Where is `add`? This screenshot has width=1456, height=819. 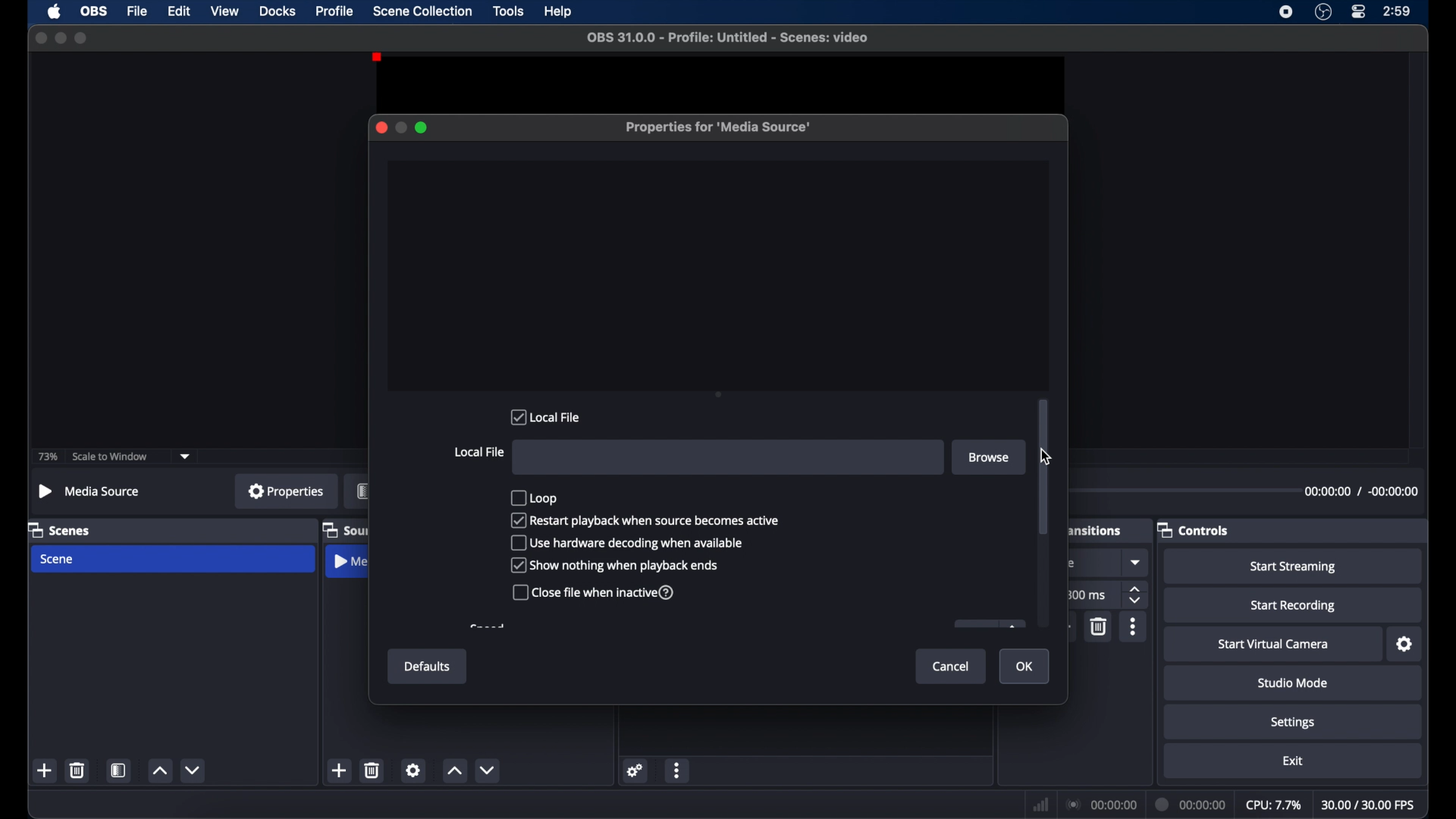
add is located at coordinates (1063, 627).